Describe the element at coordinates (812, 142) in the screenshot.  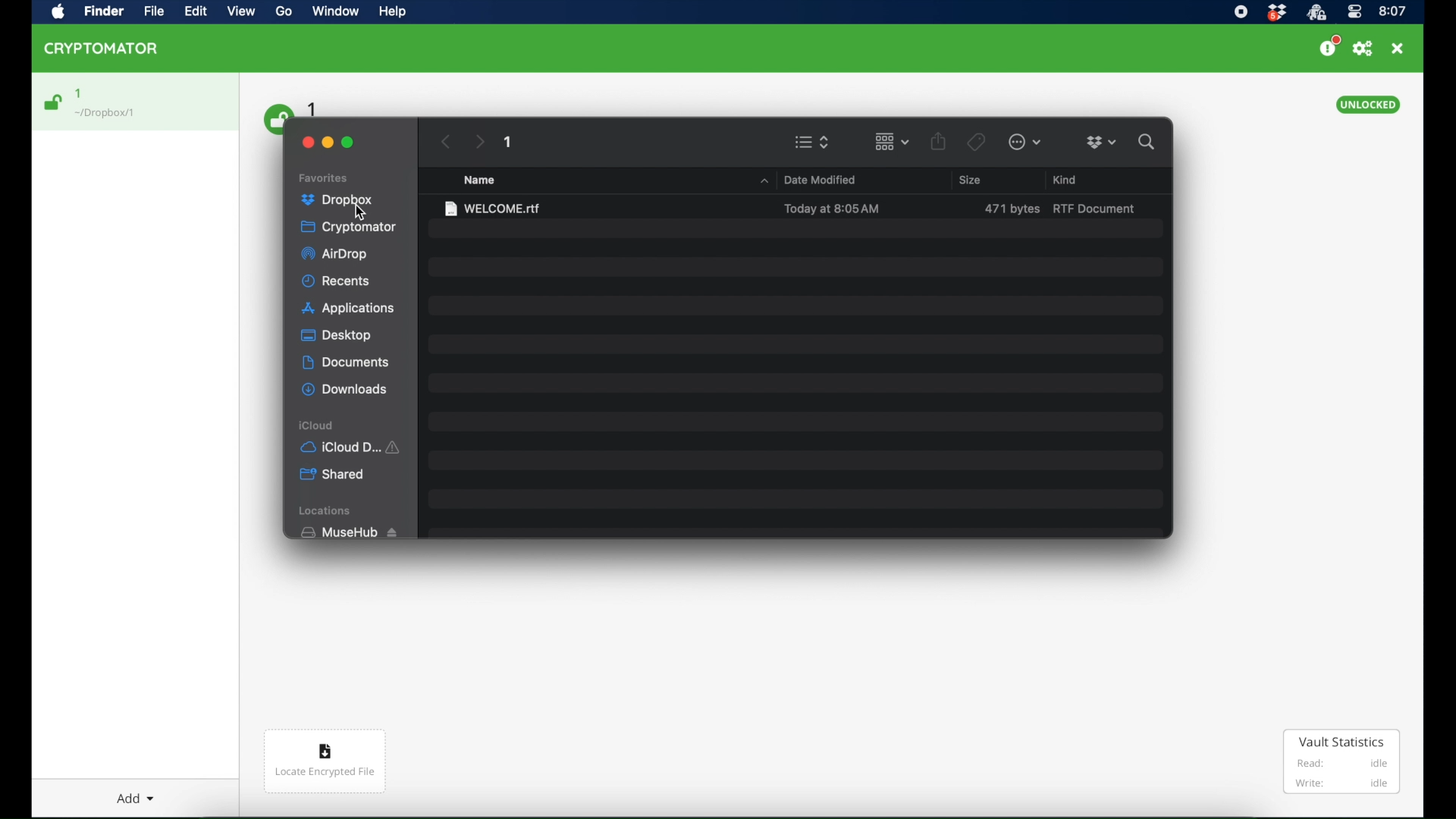
I see `viewing options` at that location.